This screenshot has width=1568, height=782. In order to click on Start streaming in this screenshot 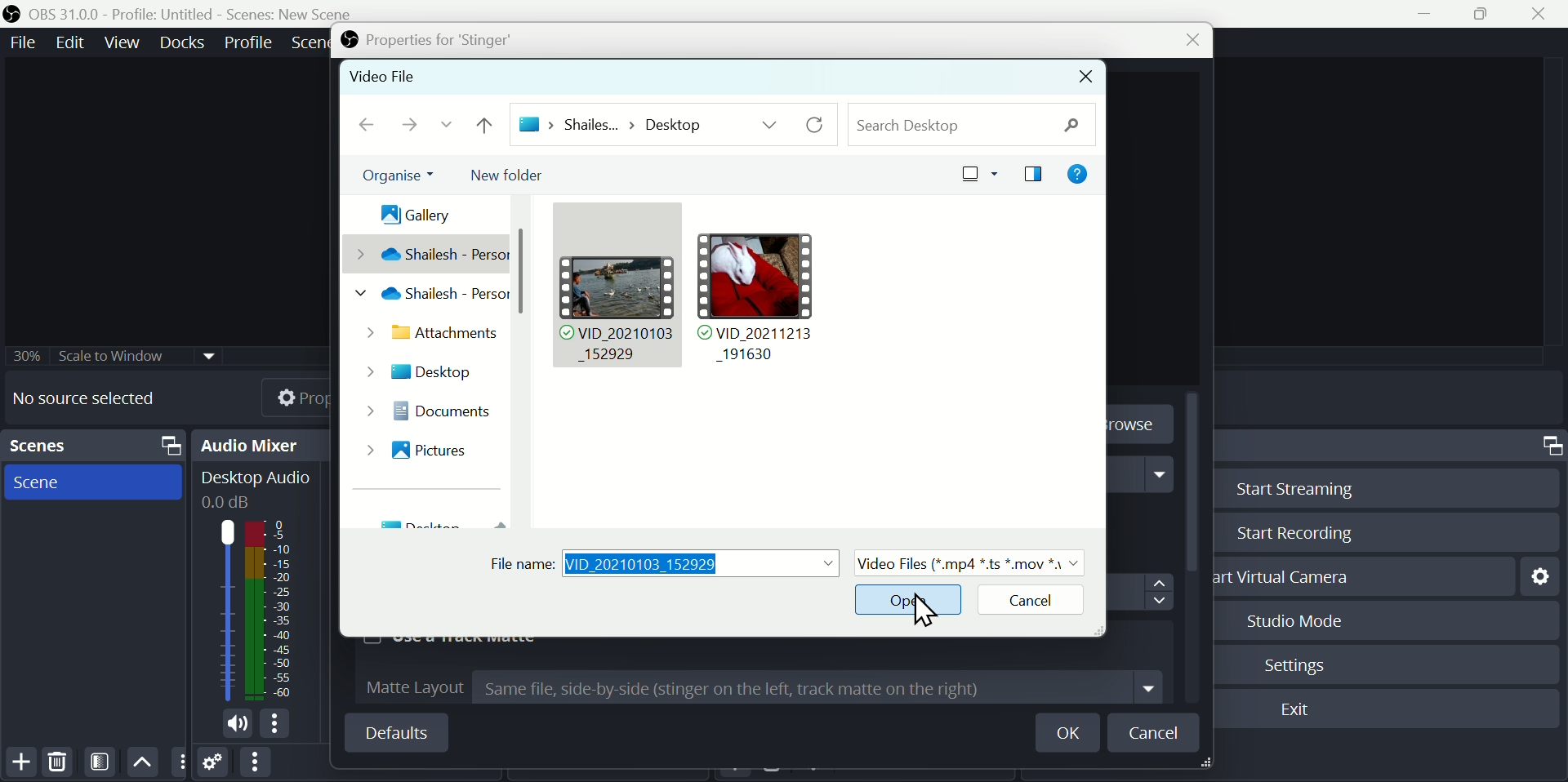, I will do `click(1288, 487)`.